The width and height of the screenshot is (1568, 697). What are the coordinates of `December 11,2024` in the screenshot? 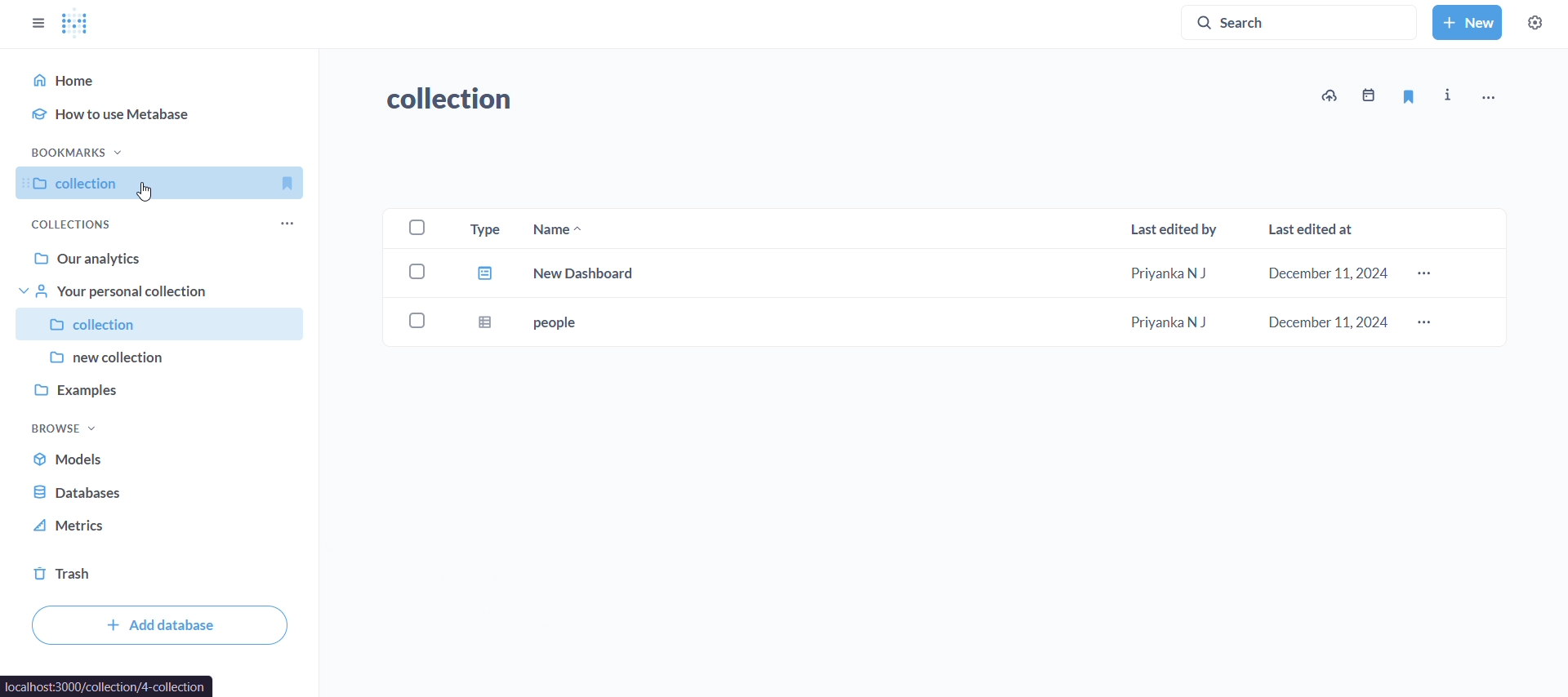 It's located at (1322, 322).